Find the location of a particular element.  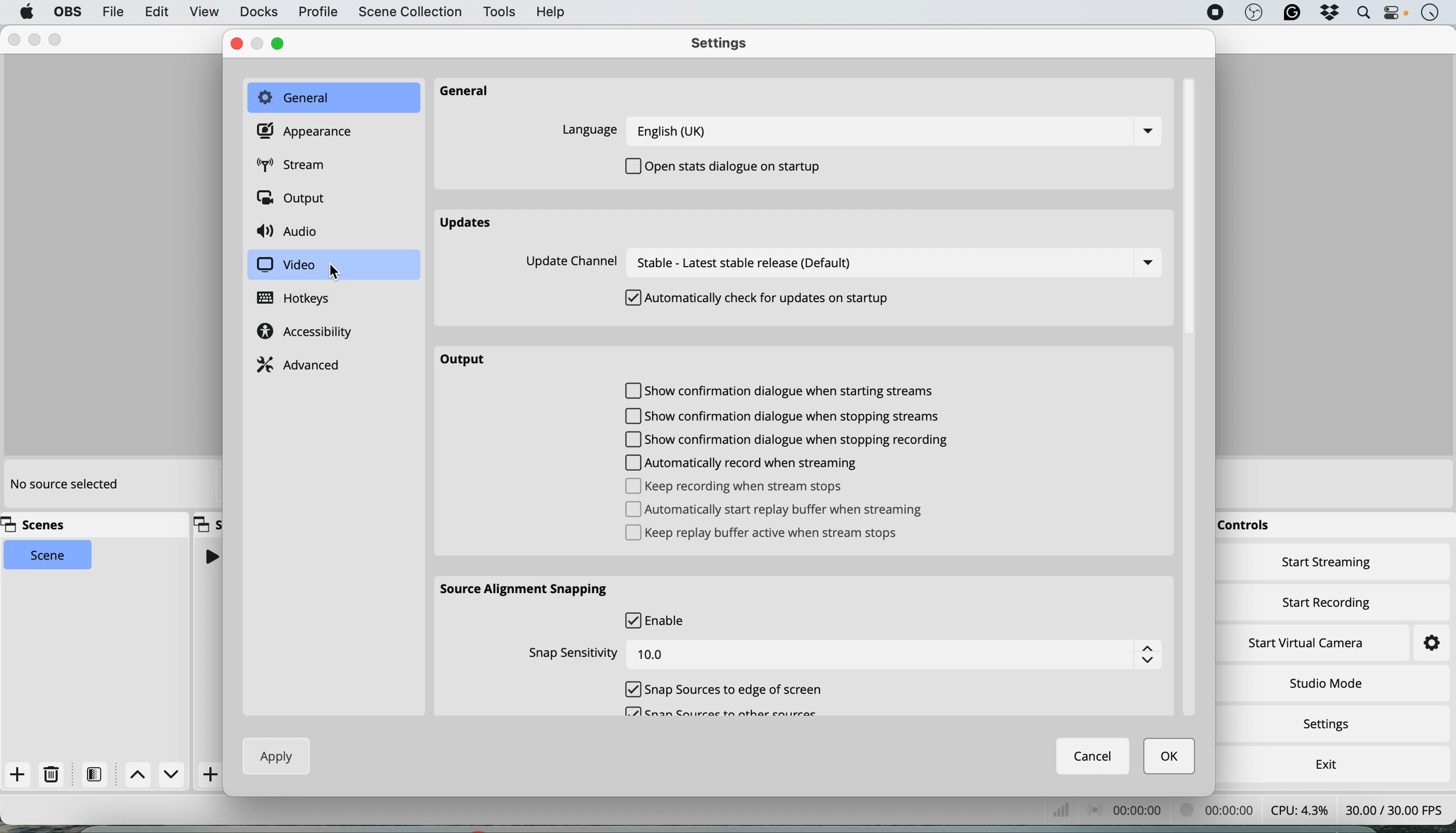

settings is located at coordinates (1331, 725).